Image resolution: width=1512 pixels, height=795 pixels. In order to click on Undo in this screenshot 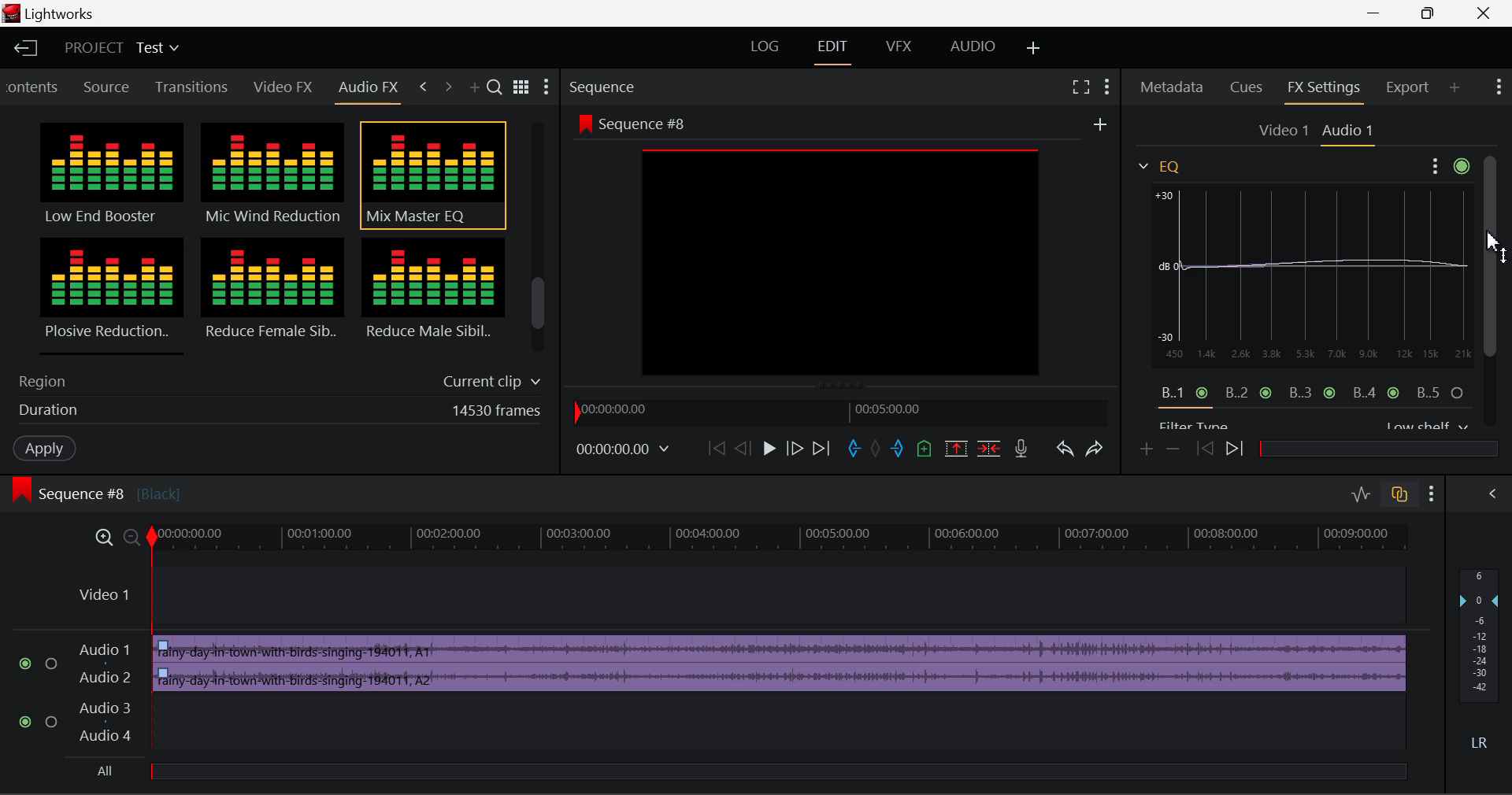, I will do `click(1067, 453)`.